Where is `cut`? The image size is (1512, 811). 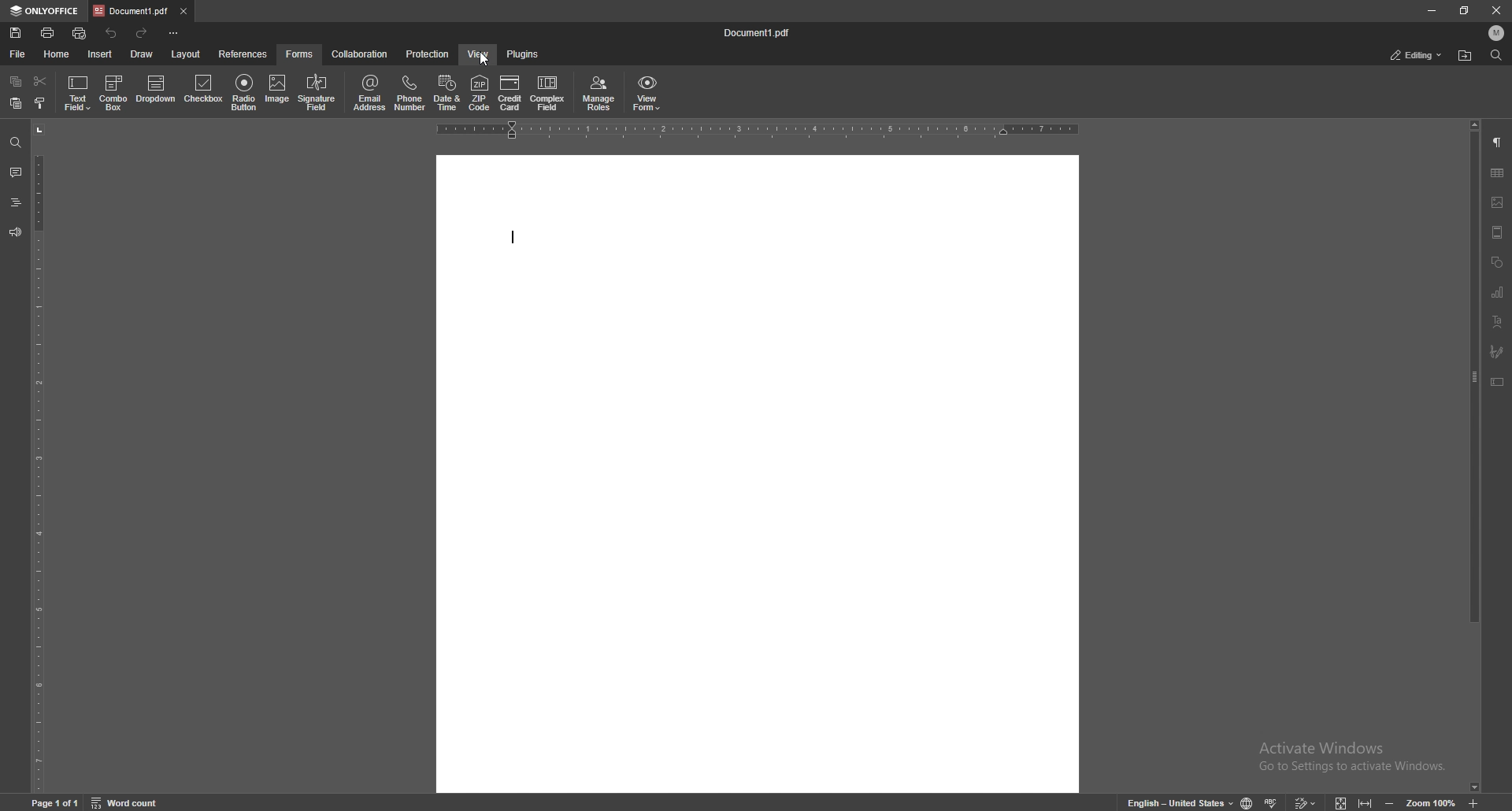
cut is located at coordinates (40, 82).